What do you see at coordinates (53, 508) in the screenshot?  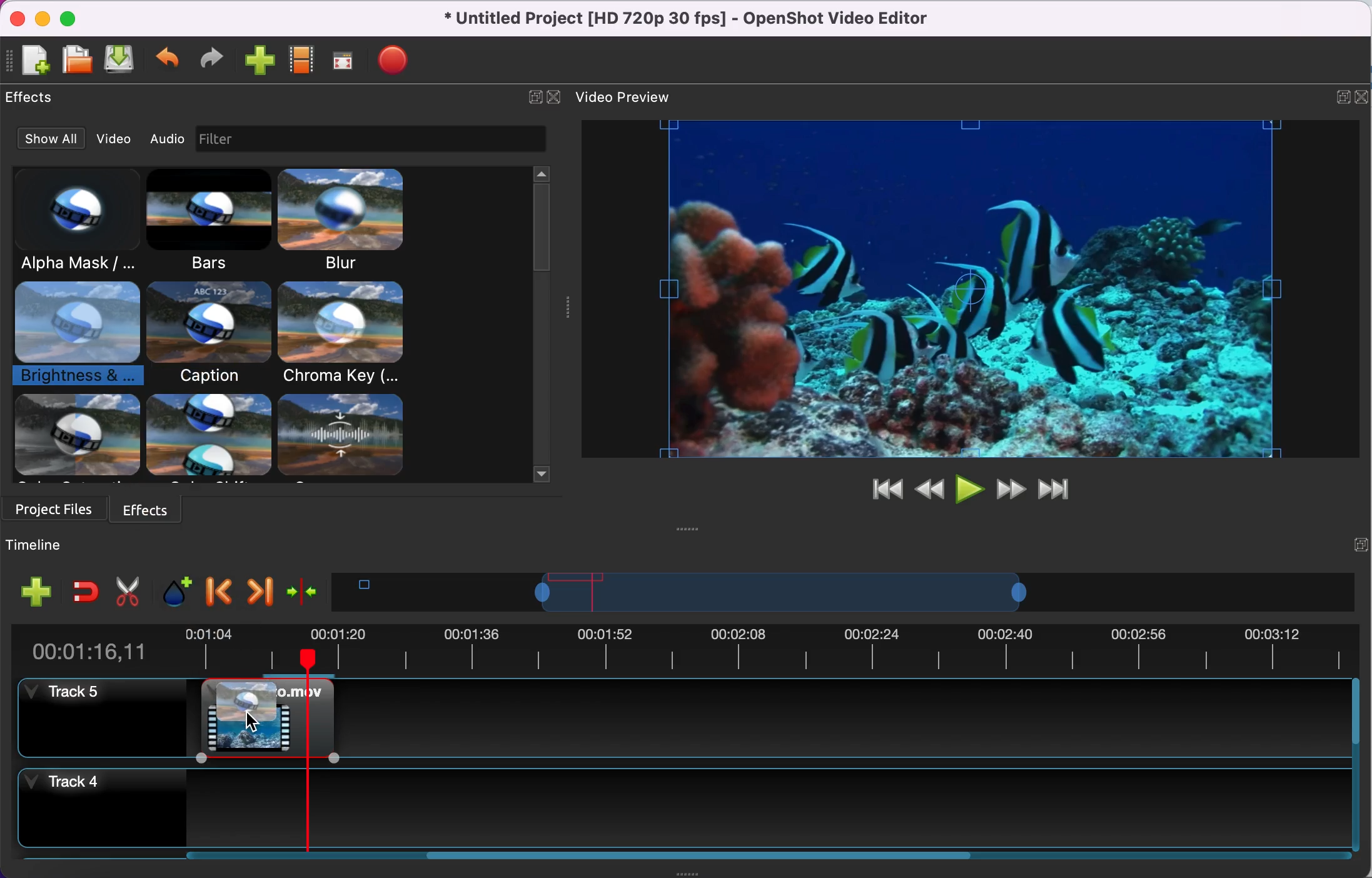 I see `project files` at bounding box center [53, 508].